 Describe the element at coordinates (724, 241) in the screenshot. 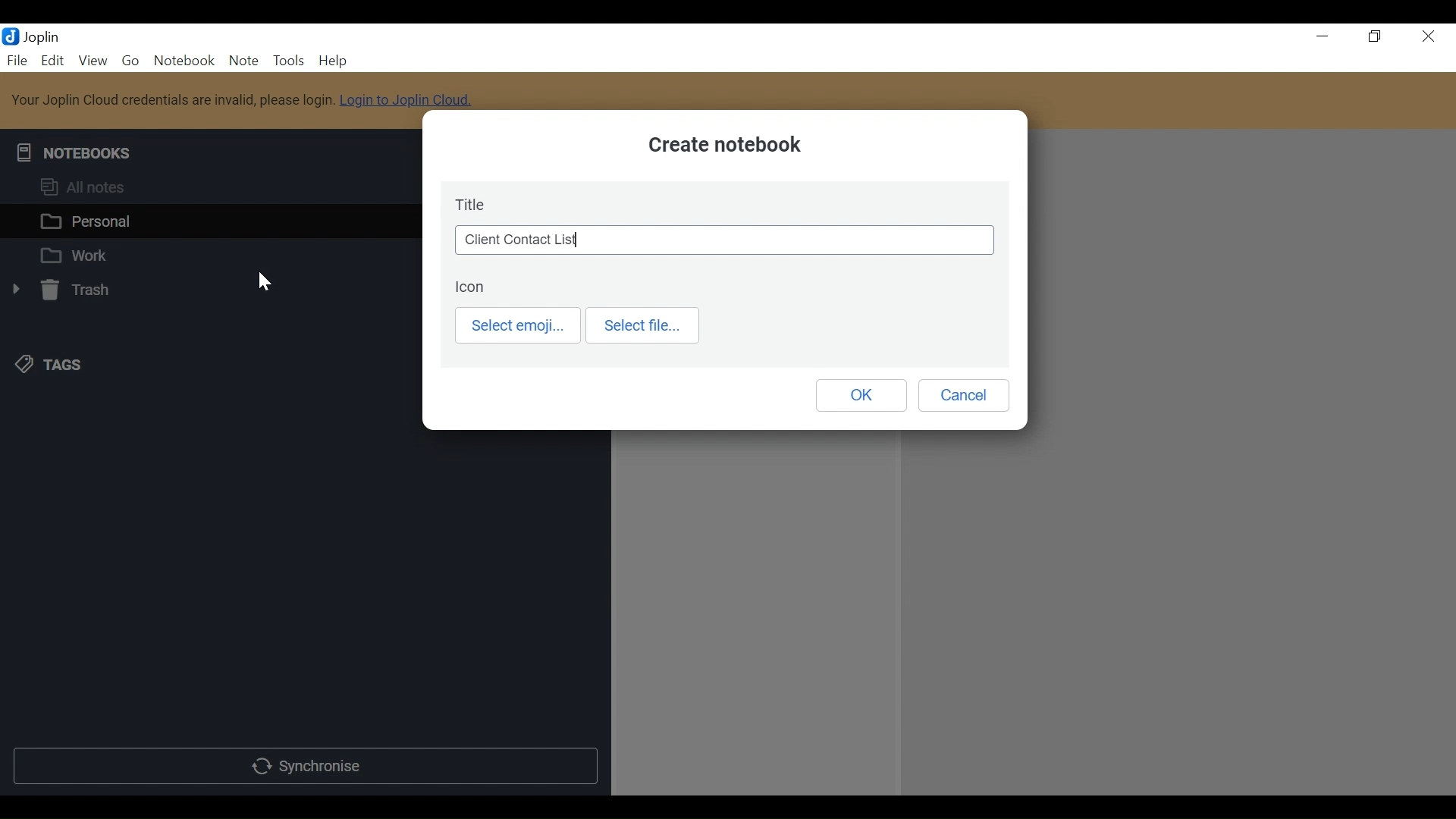

I see `Client Contact List` at that location.